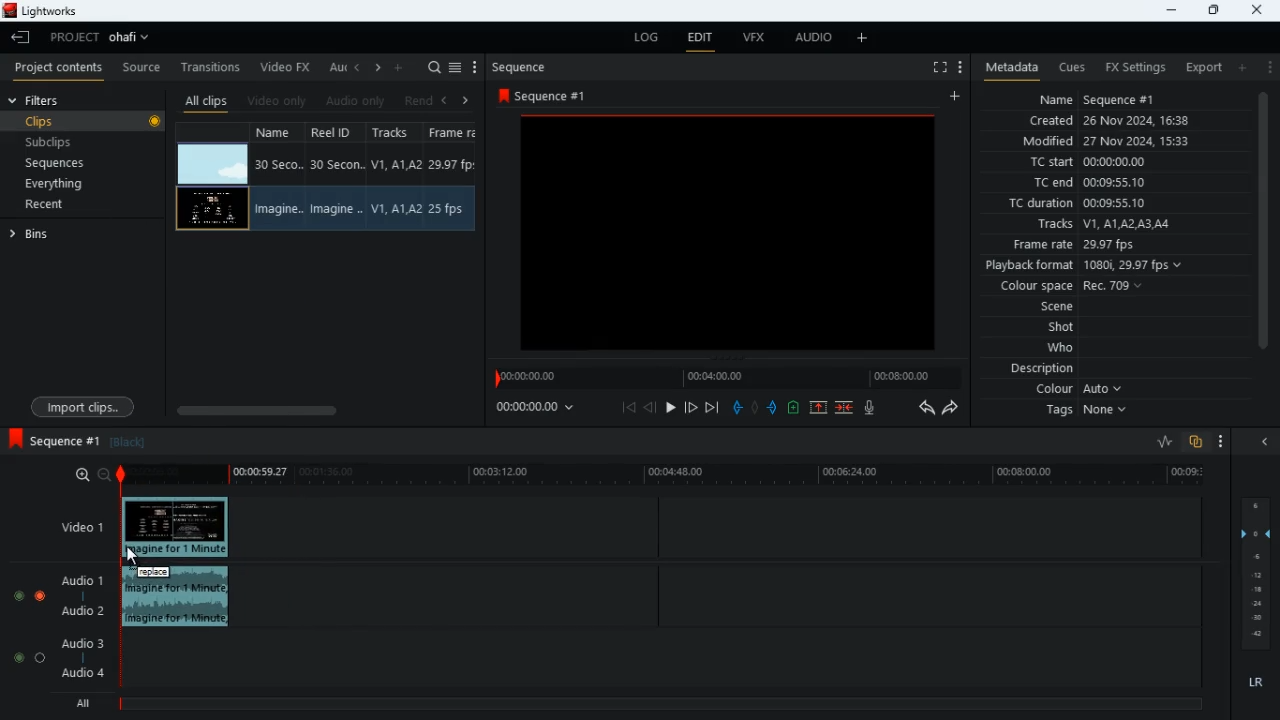 This screenshot has height=720, width=1280. Describe the element at coordinates (874, 410) in the screenshot. I see `mic` at that location.